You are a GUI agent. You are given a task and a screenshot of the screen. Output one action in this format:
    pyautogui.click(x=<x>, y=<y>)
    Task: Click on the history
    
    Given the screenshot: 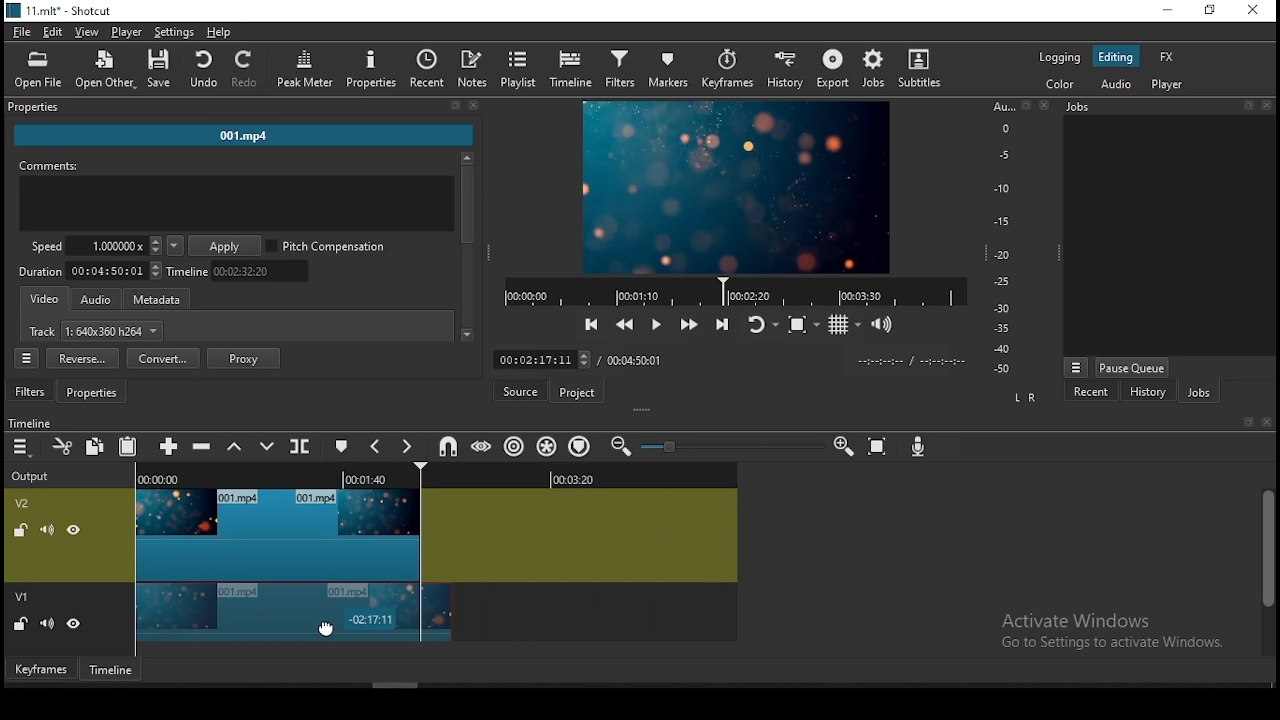 What is the action you would take?
    pyautogui.click(x=1144, y=393)
    